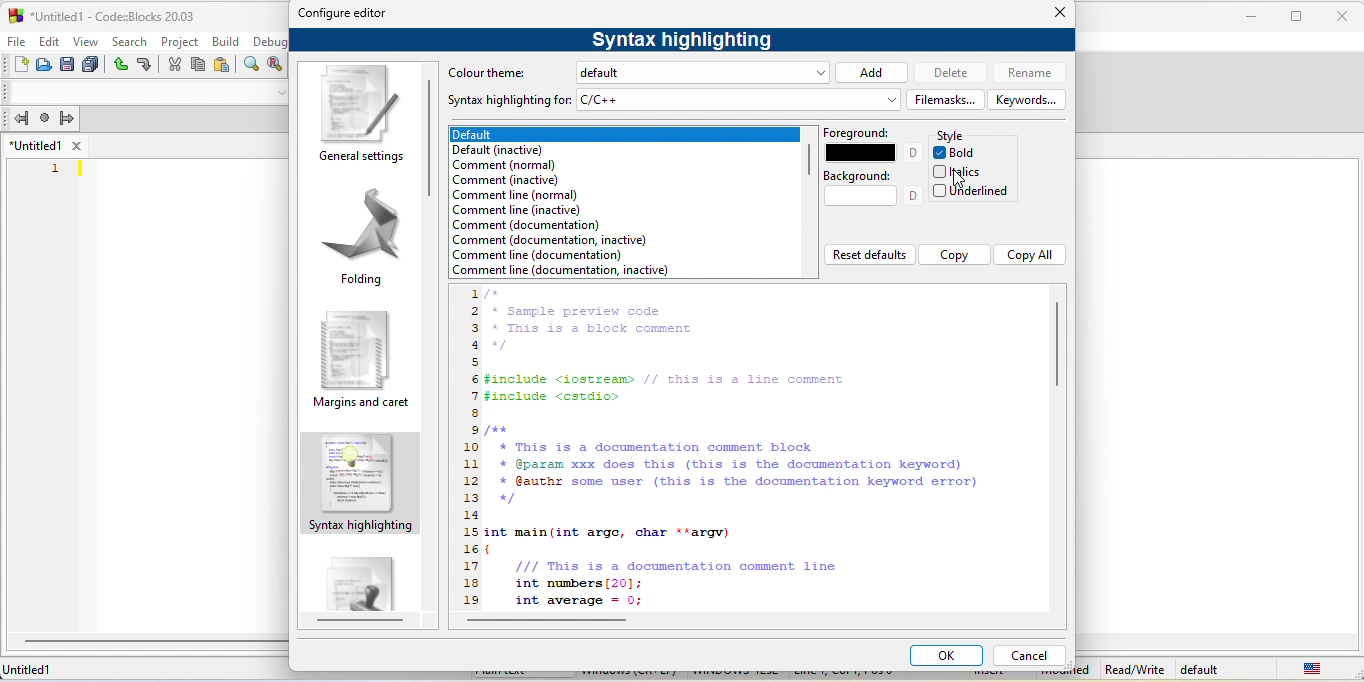 The height and width of the screenshot is (682, 1364). I want to click on rename, so click(1027, 73).